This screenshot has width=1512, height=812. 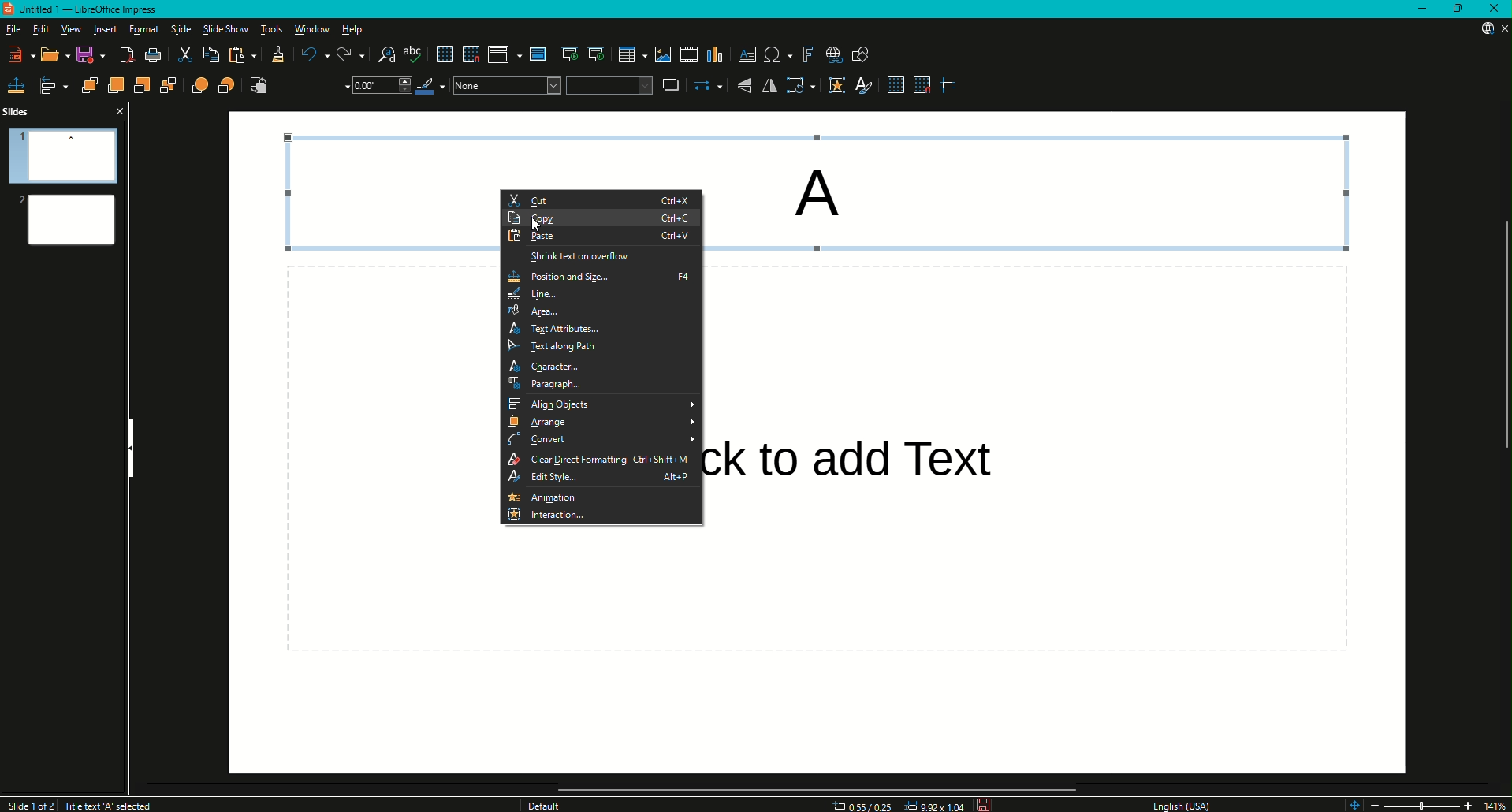 I want to click on Copy, so click(x=602, y=219).